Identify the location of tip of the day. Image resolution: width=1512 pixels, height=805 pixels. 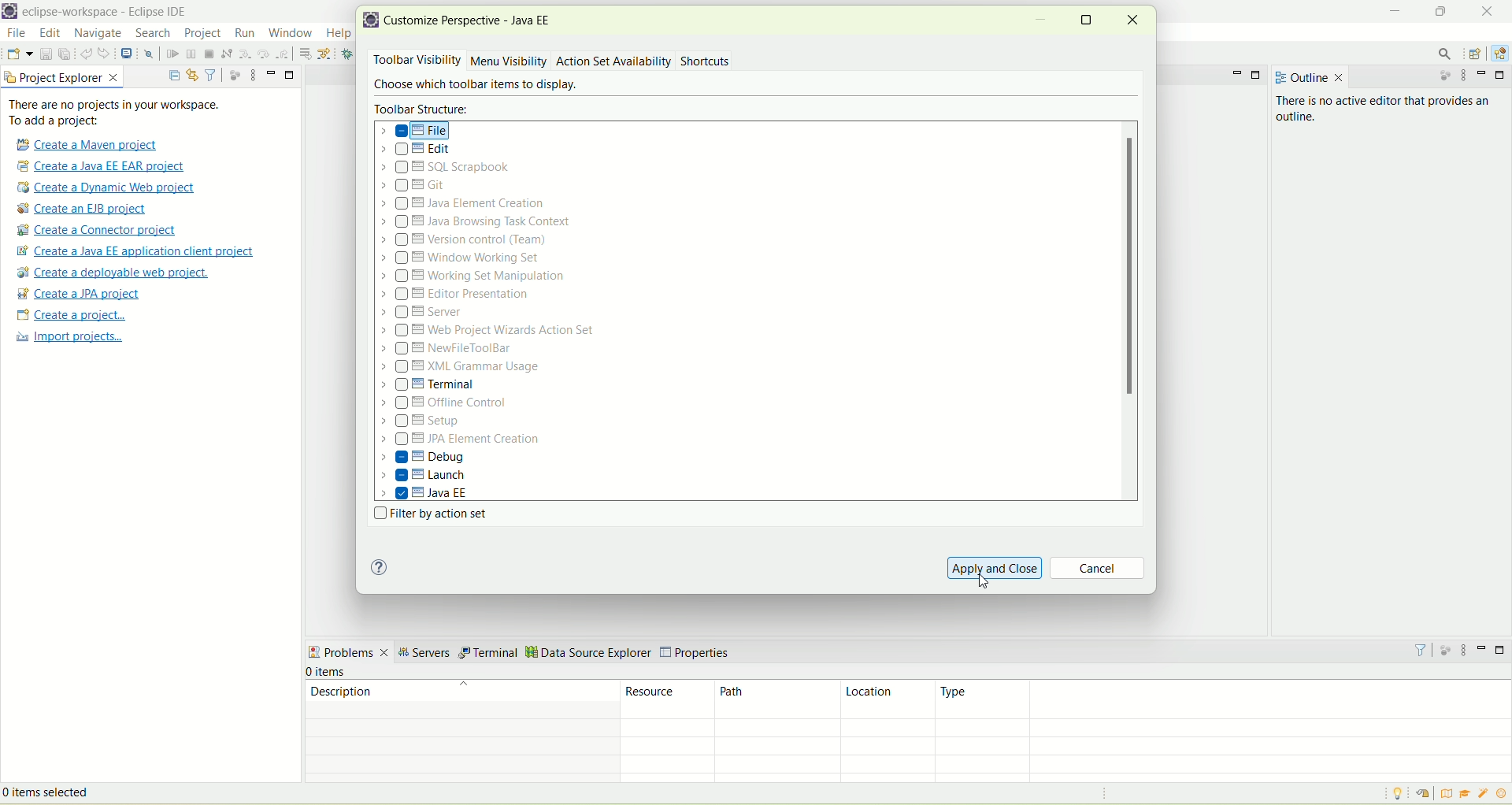
(1395, 794).